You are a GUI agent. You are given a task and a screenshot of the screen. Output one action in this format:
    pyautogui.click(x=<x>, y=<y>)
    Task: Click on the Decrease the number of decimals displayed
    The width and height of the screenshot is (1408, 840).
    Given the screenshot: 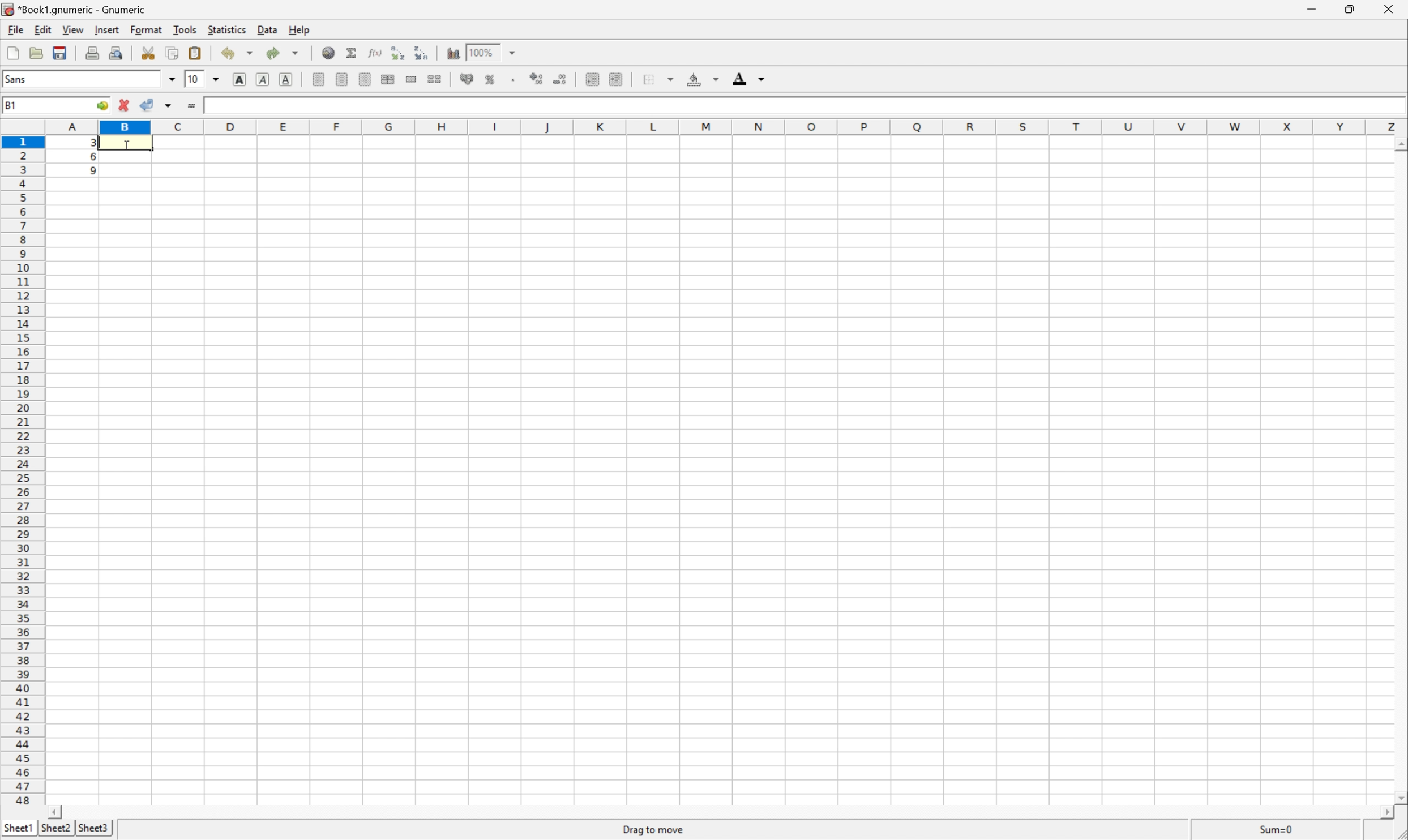 What is the action you would take?
    pyautogui.click(x=560, y=79)
    